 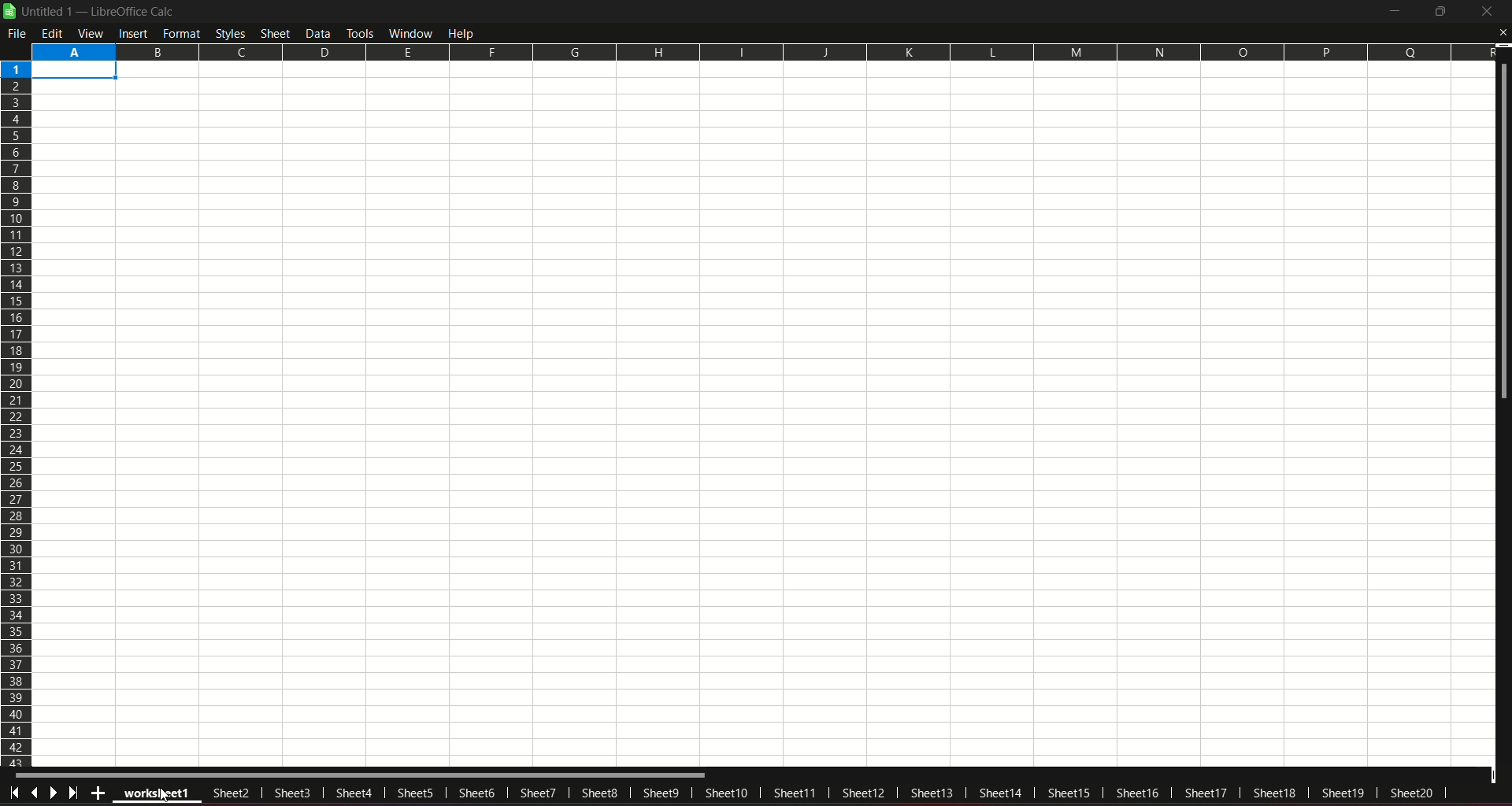 I want to click on format, so click(x=182, y=33).